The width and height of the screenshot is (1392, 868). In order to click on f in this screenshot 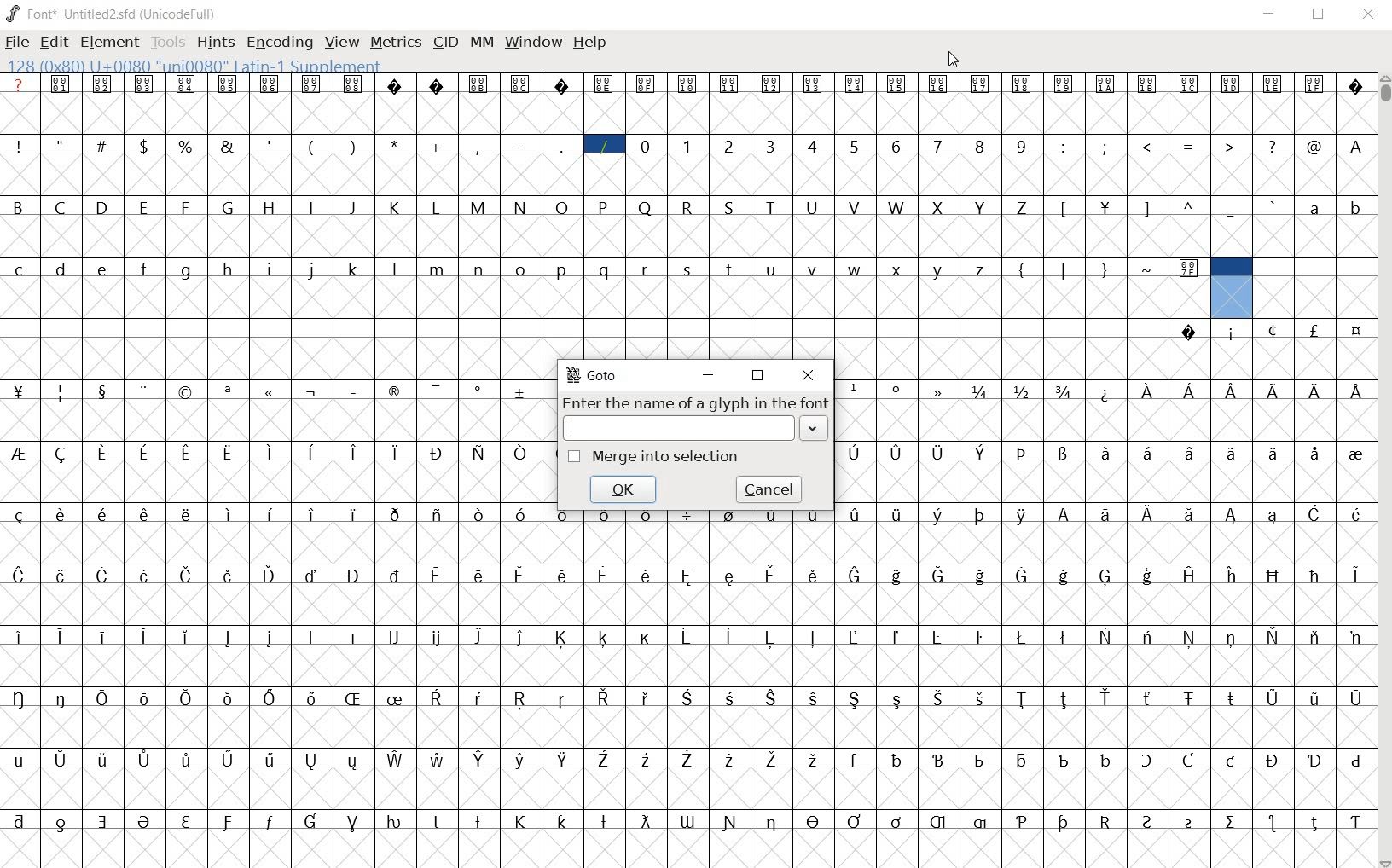, I will do `click(148, 267)`.